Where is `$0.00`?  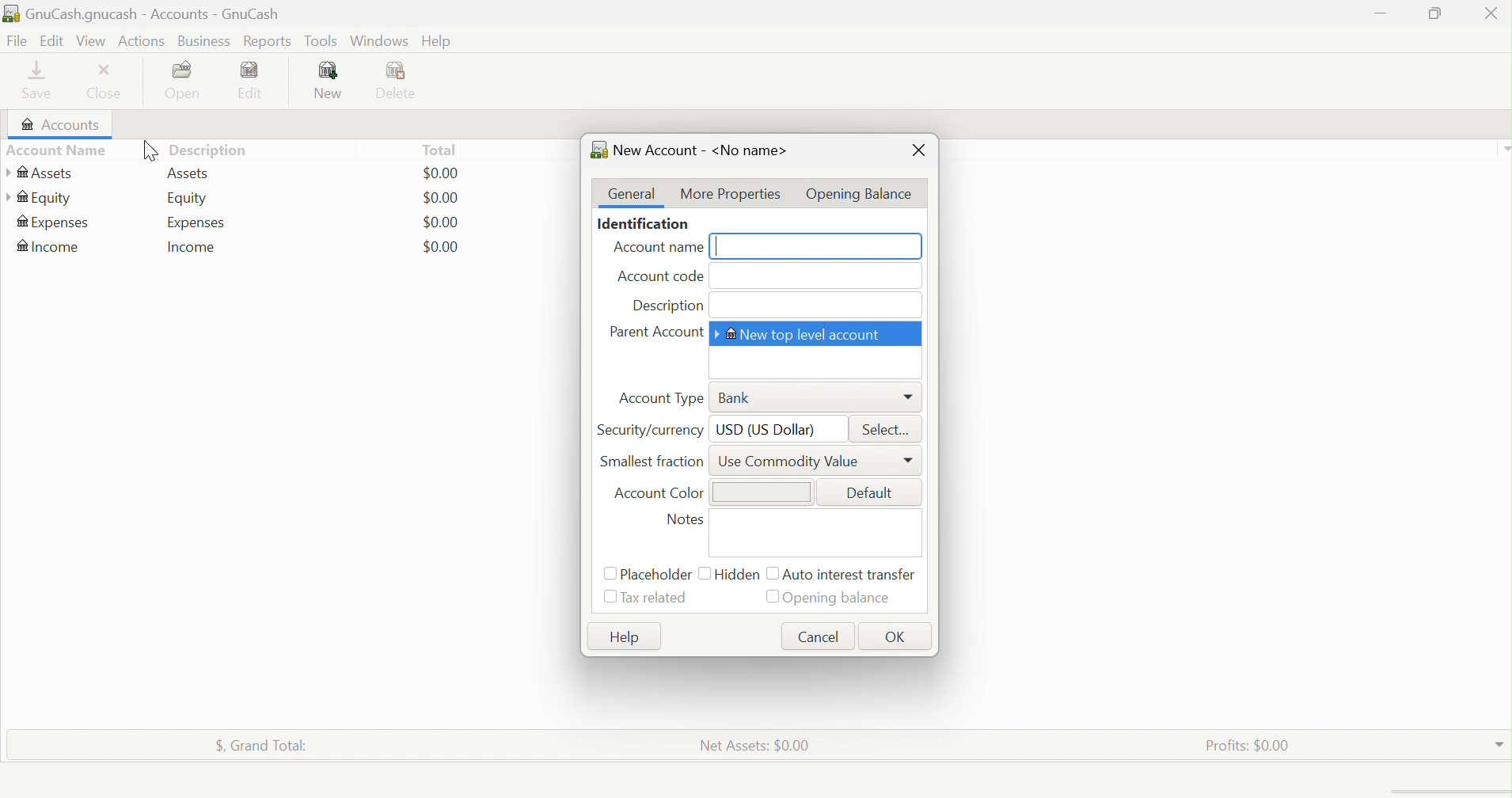
$0.00 is located at coordinates (442, 198).